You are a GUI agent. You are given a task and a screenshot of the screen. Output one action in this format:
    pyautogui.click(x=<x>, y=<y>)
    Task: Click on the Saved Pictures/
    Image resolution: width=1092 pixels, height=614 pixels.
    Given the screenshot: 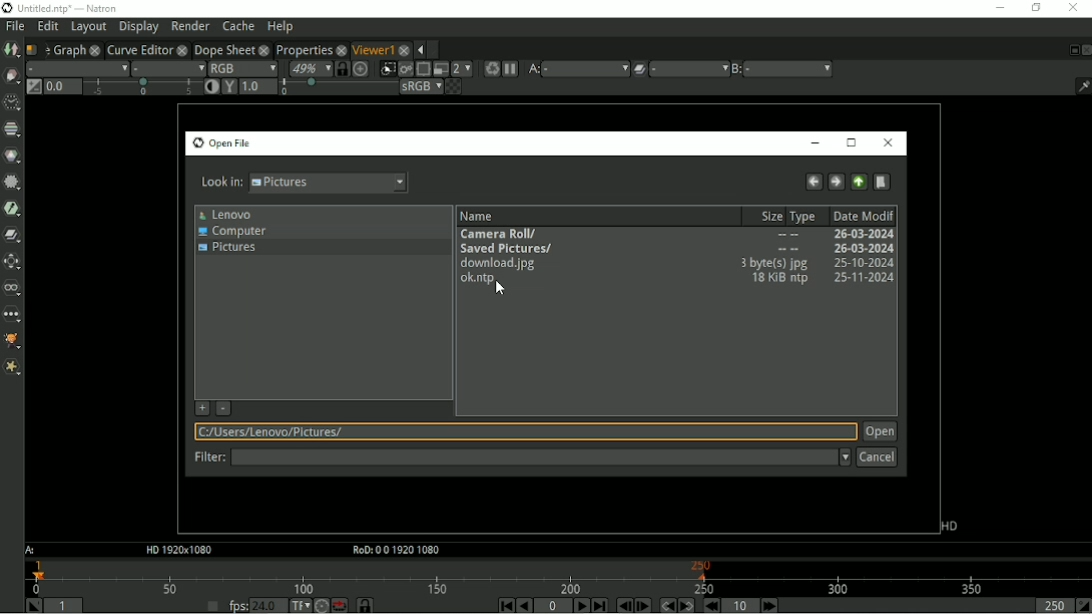 What is the action you would take?
    pyautogui.click(x=675, y=249)
    